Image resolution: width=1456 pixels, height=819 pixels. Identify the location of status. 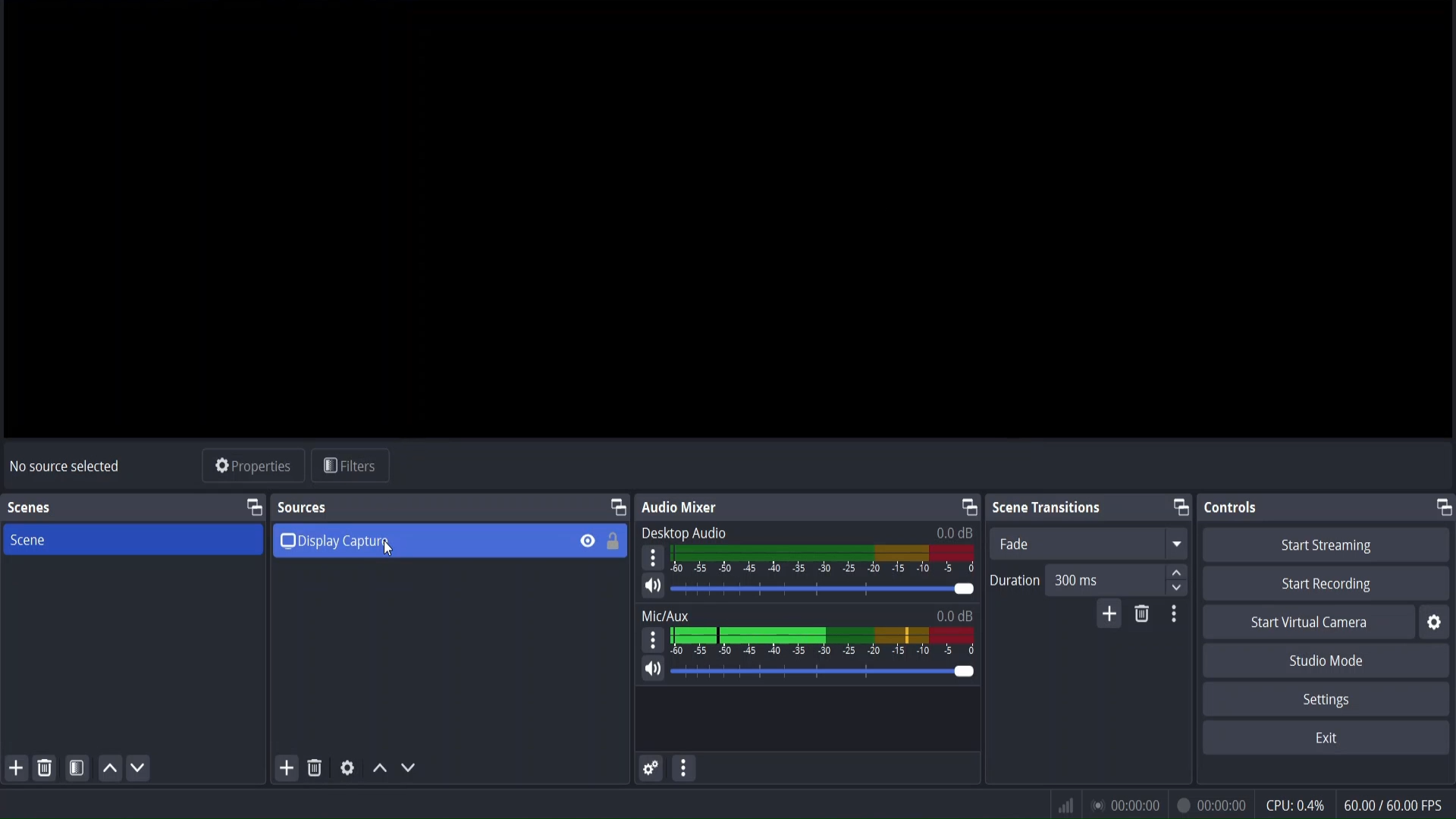
(1122, 802).